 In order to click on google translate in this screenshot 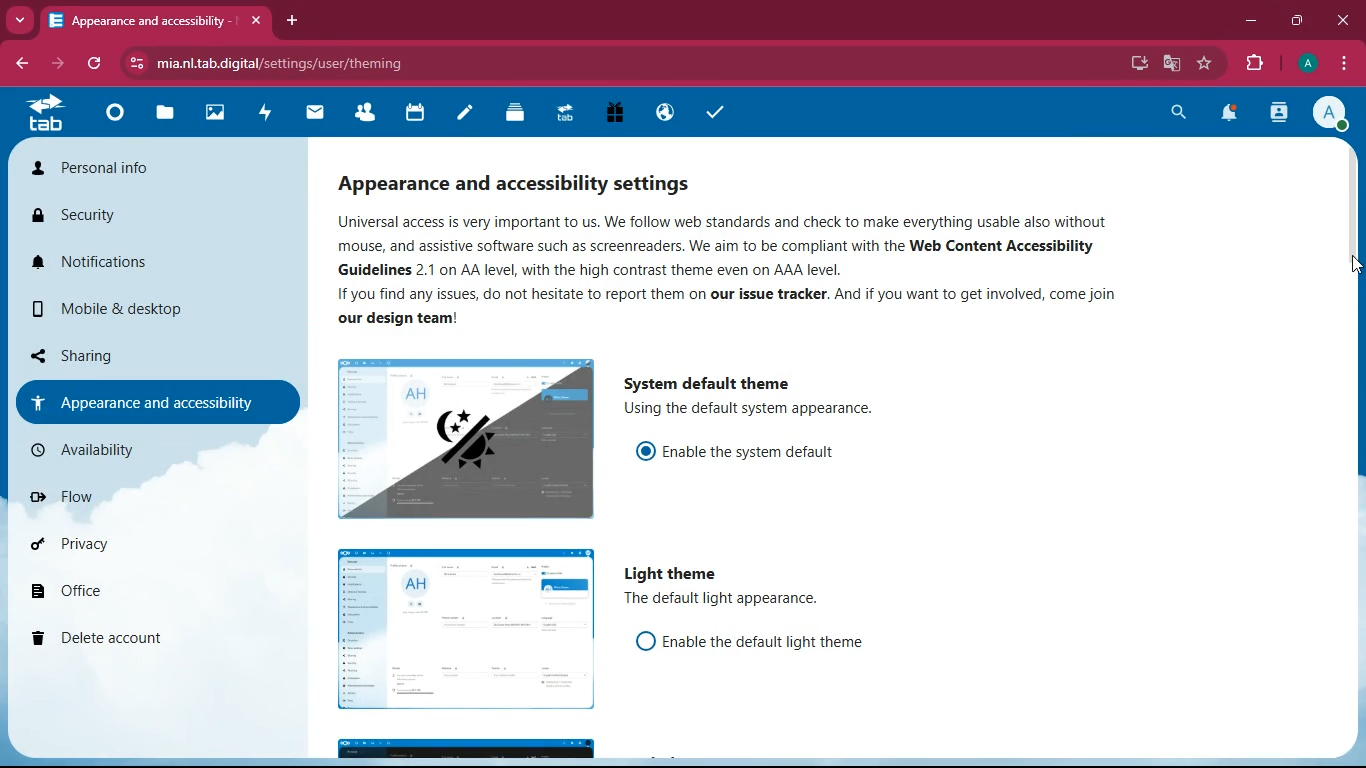, I will do `click(1172, 63)`.